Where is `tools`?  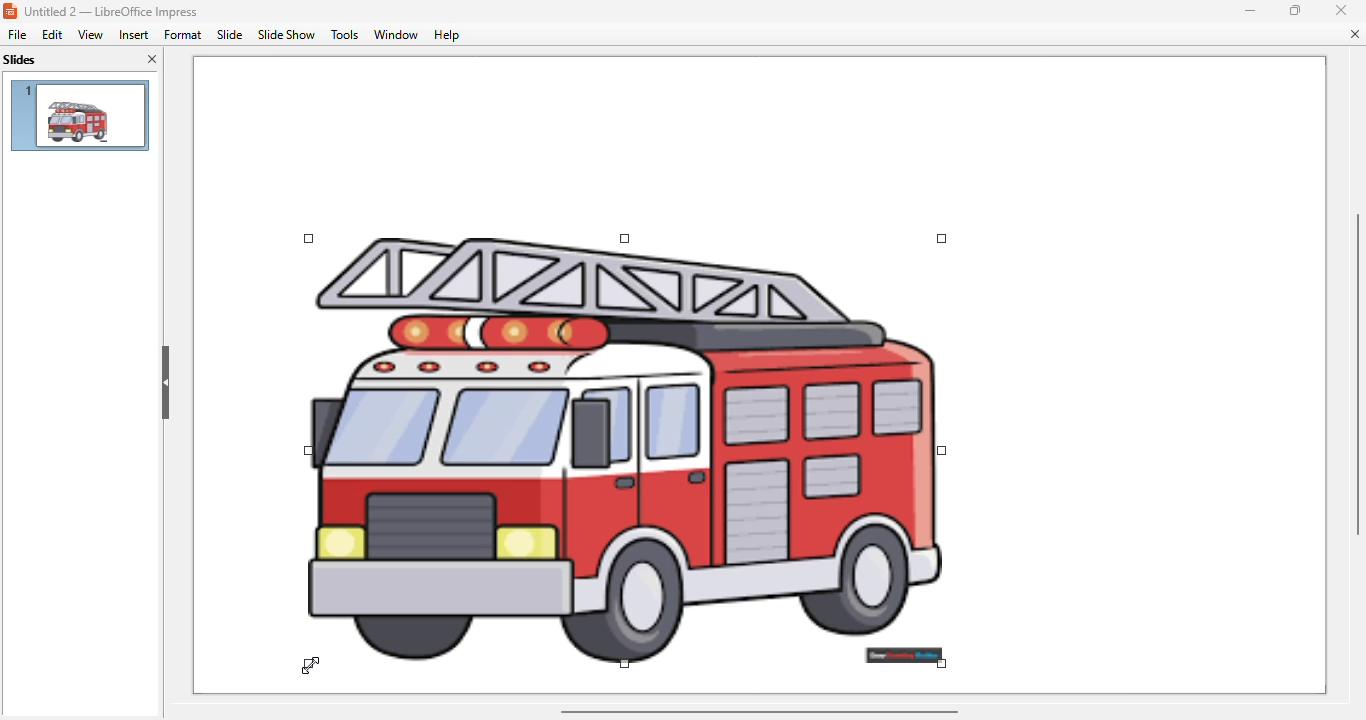 tools is located at coordinates (344, 35).